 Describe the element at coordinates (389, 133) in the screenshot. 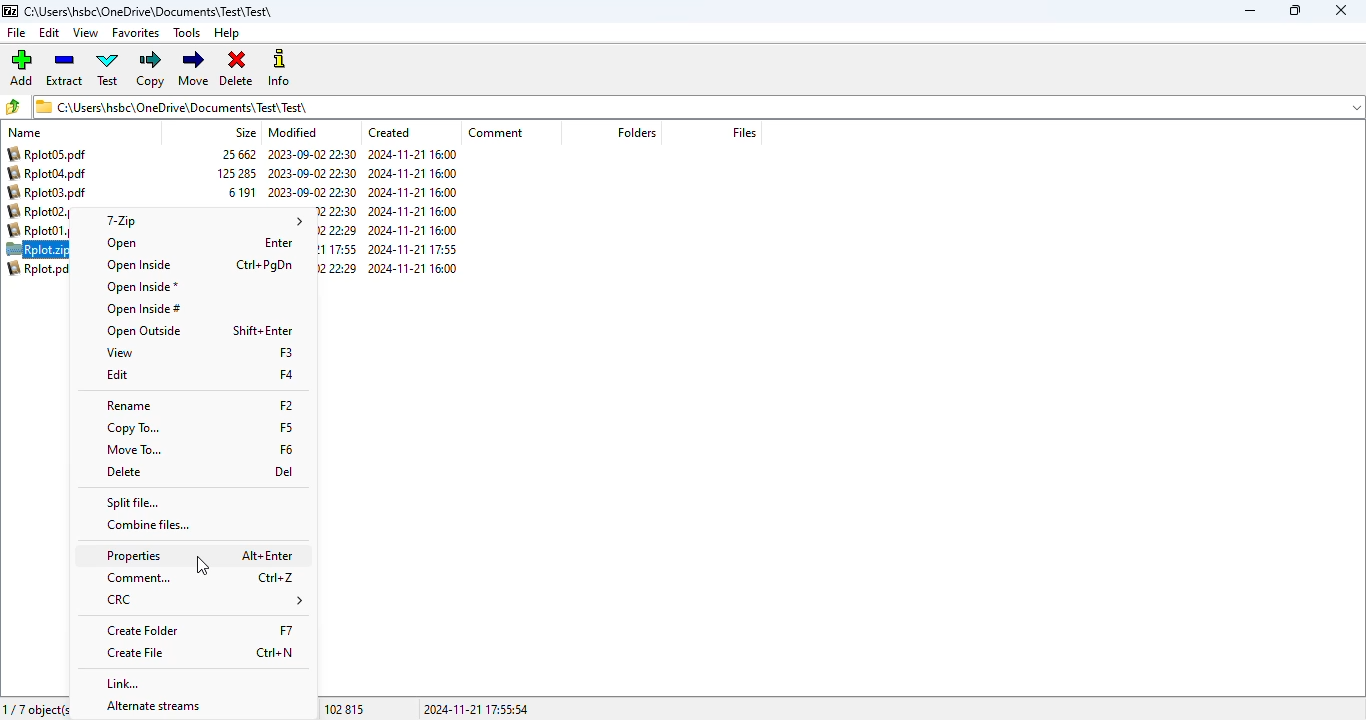

I see `created` at that location.